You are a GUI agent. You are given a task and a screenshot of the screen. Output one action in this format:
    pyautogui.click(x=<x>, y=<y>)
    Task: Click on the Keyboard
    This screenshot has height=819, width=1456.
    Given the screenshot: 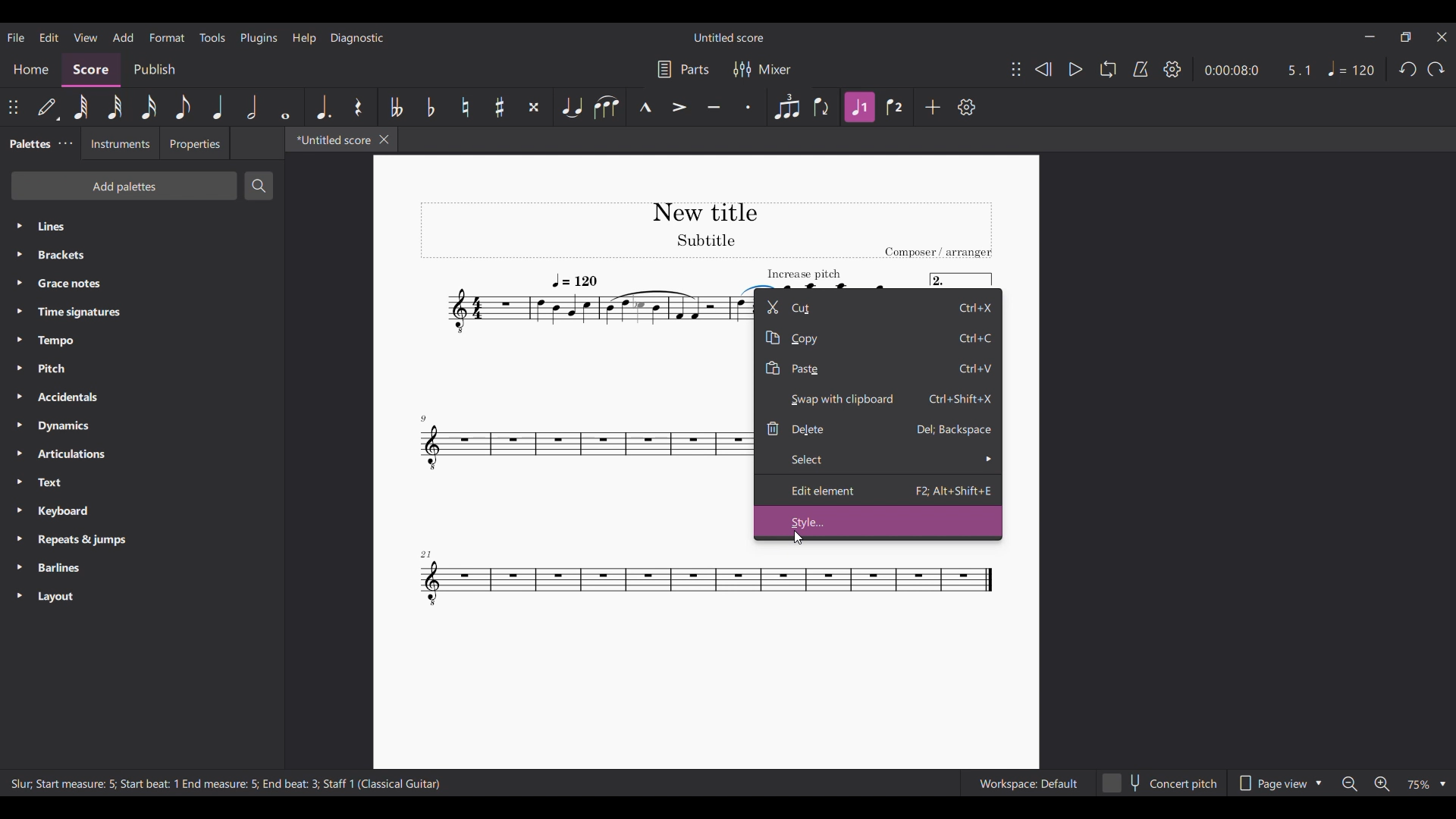 What is the action you would take?
    pyautogui.click(x=142, y=510)
    